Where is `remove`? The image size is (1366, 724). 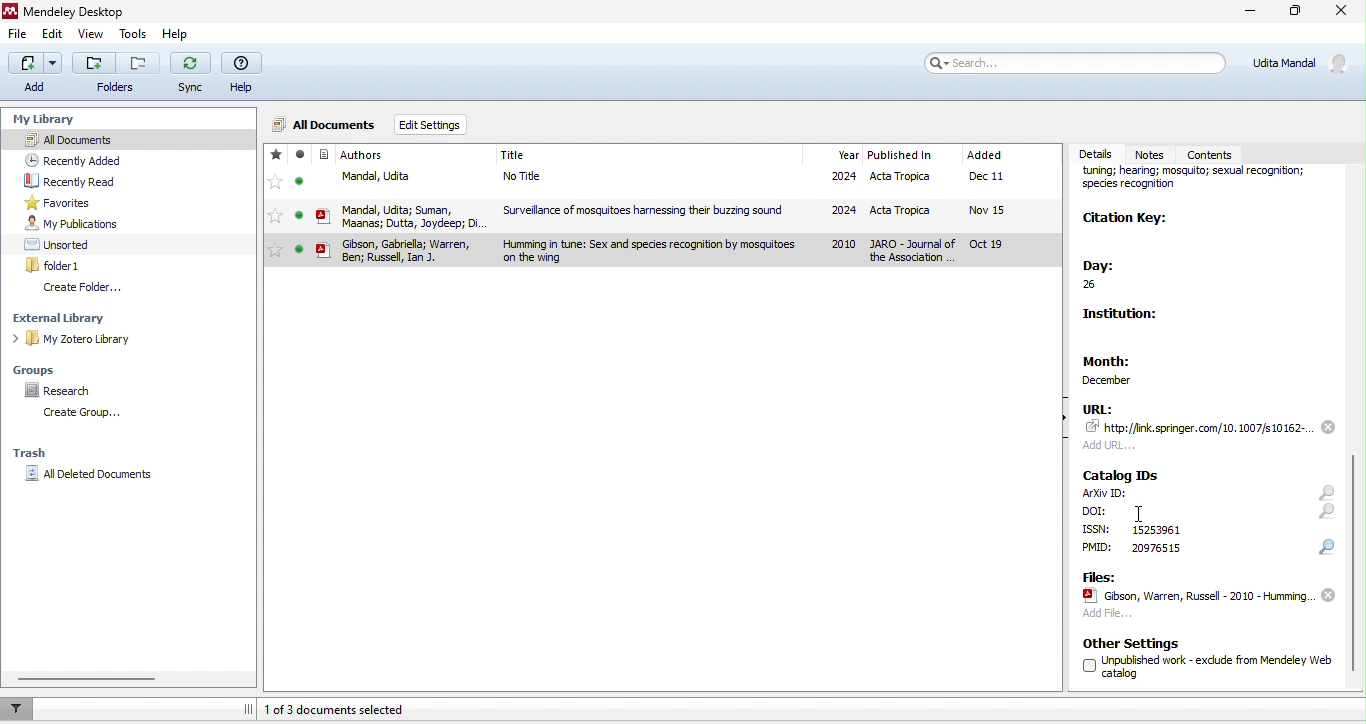 remove is located at coordinates (1328, 596).